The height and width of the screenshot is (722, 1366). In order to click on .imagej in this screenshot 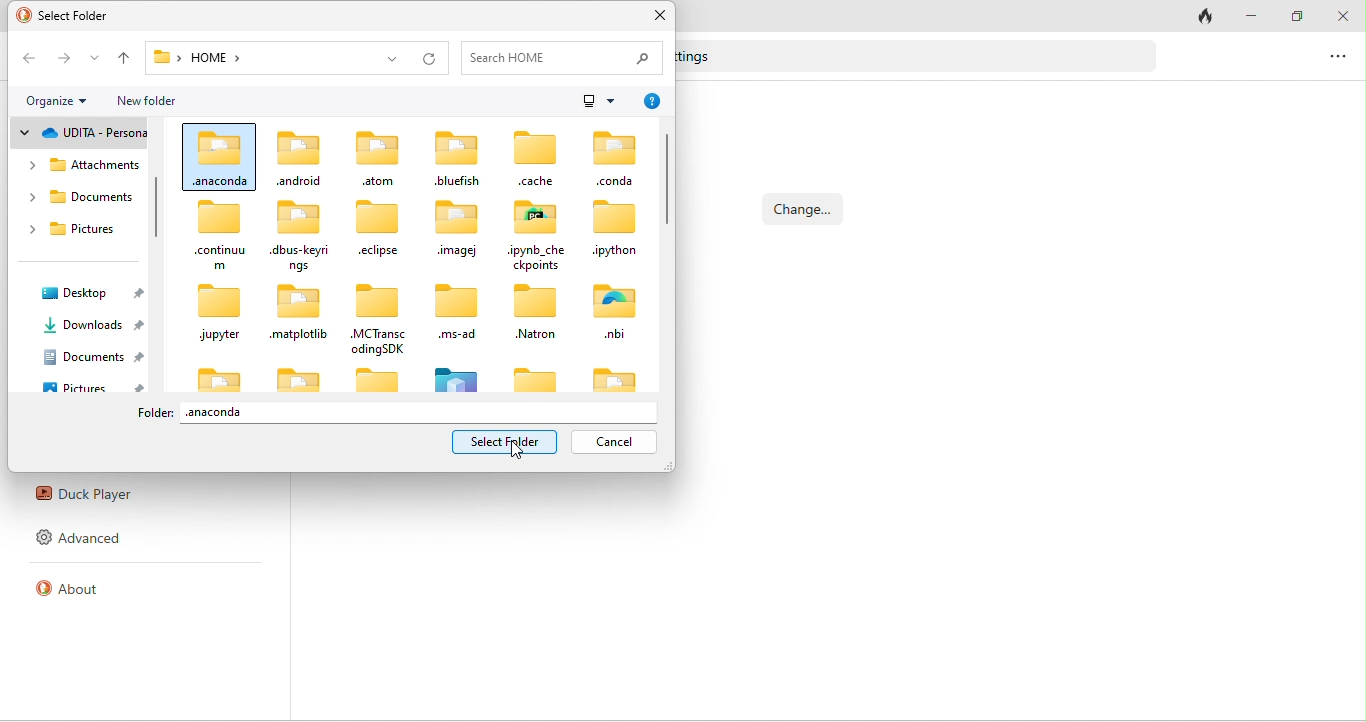, I will do `click(457, 228)`.